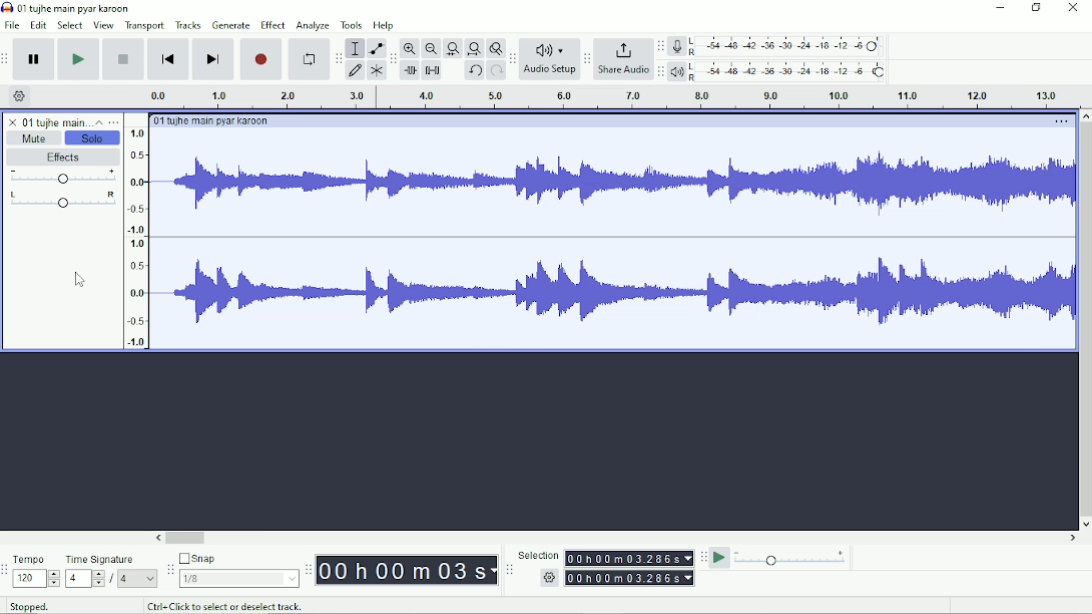 This screenshot has width=1092, height=614. What do you see at coordinates (273, 25) in the screenshot?
I see `Effect` at bounding box center [273, 25].